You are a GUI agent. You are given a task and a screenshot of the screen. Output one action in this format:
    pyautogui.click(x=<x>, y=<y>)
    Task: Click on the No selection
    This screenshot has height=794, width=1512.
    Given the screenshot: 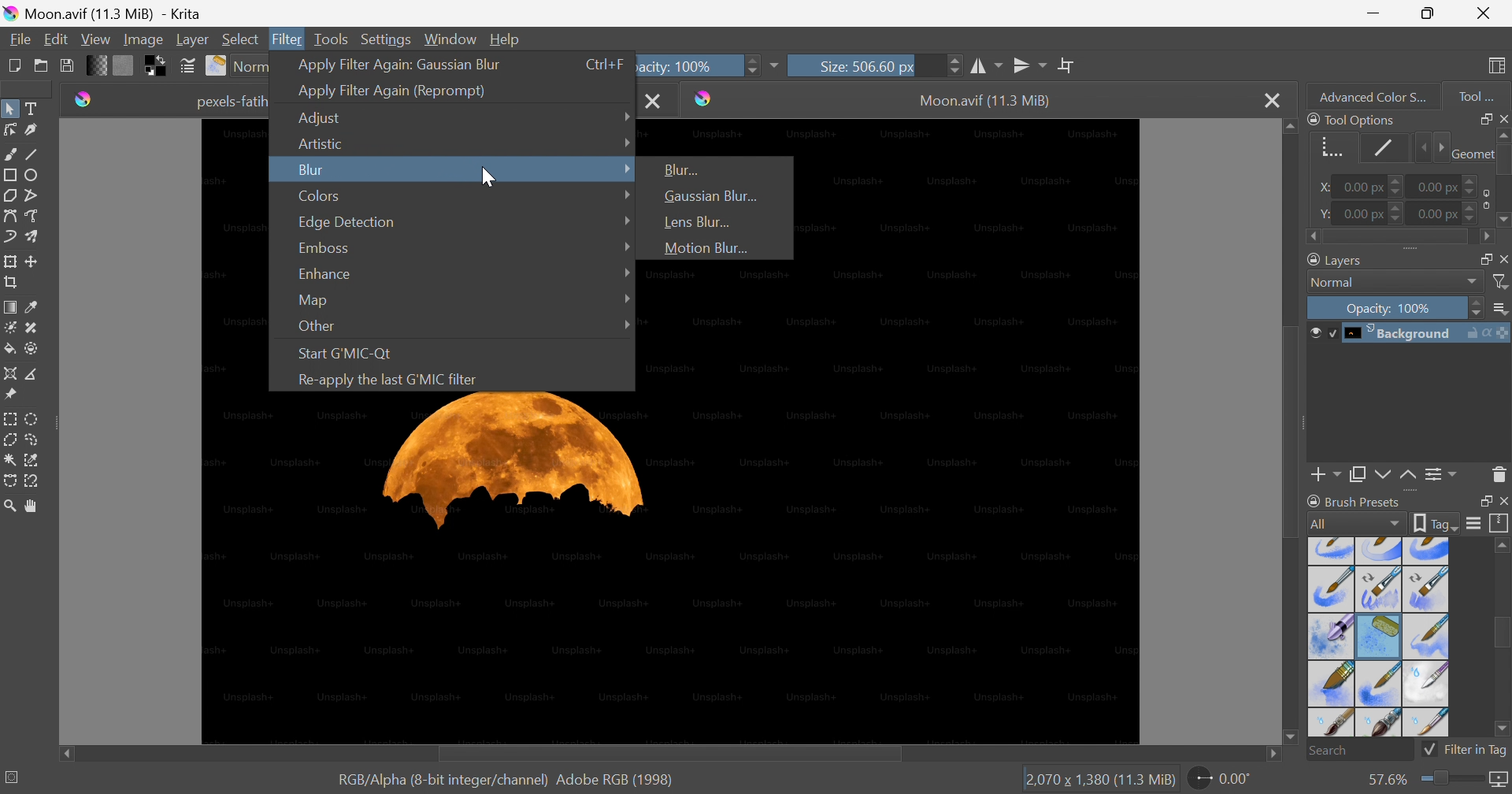 What is the action you would take?
    pyautogui.click(x=13, y=777)
    